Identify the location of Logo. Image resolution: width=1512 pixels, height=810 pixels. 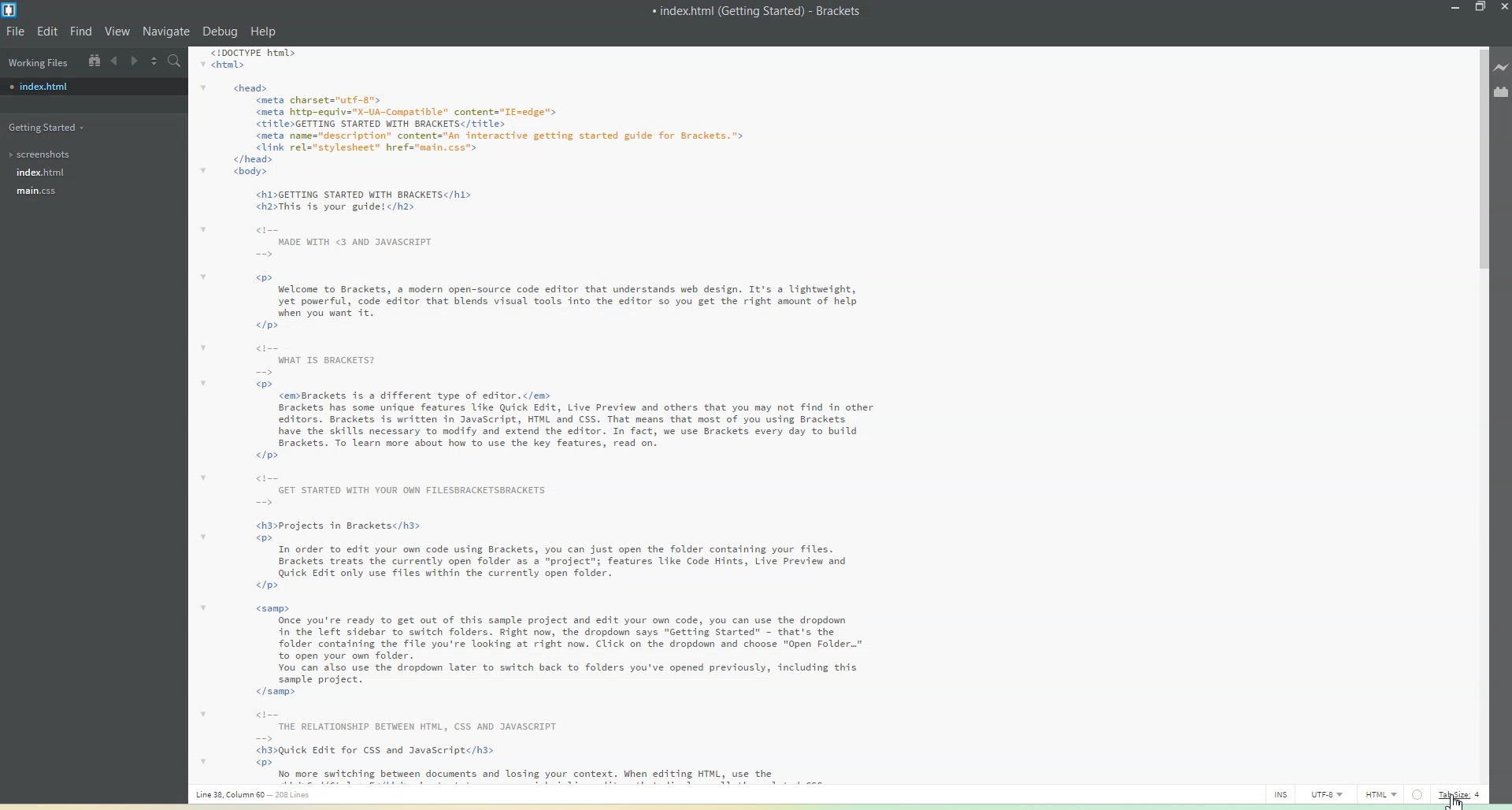
(13, 11).